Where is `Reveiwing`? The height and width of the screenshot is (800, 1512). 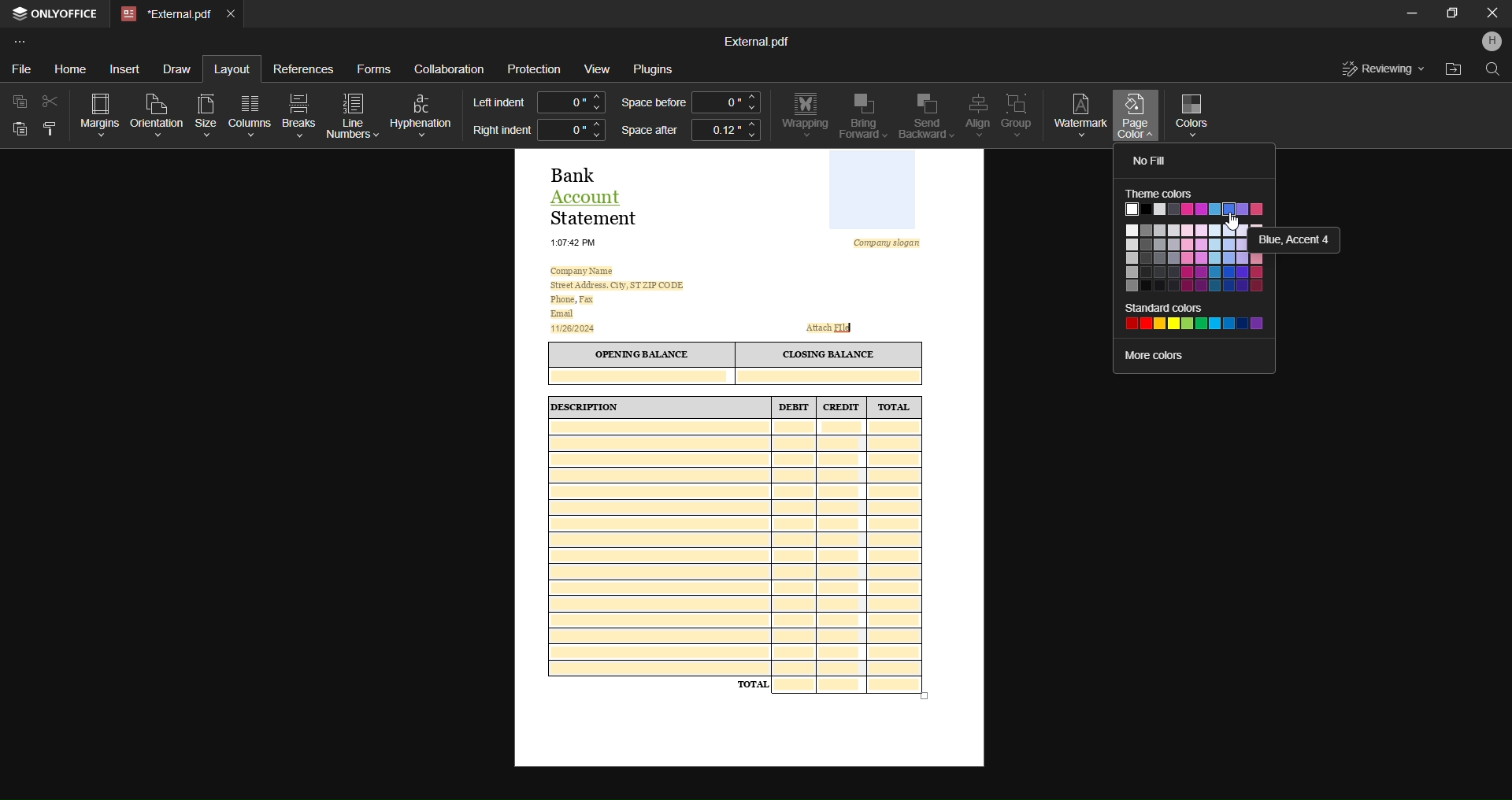
Reveiwing is located at coordinates (1384, 69).